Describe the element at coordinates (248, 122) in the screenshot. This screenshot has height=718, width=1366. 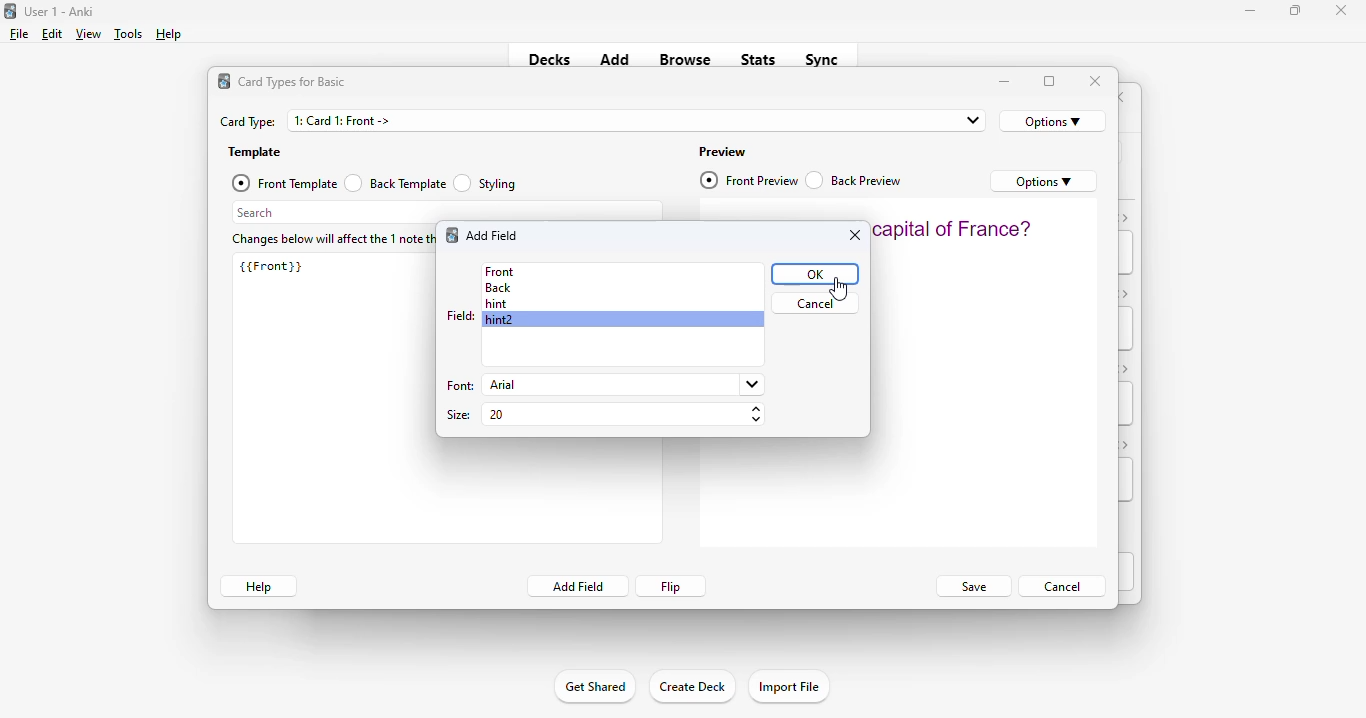
I see `card type:` at that location.